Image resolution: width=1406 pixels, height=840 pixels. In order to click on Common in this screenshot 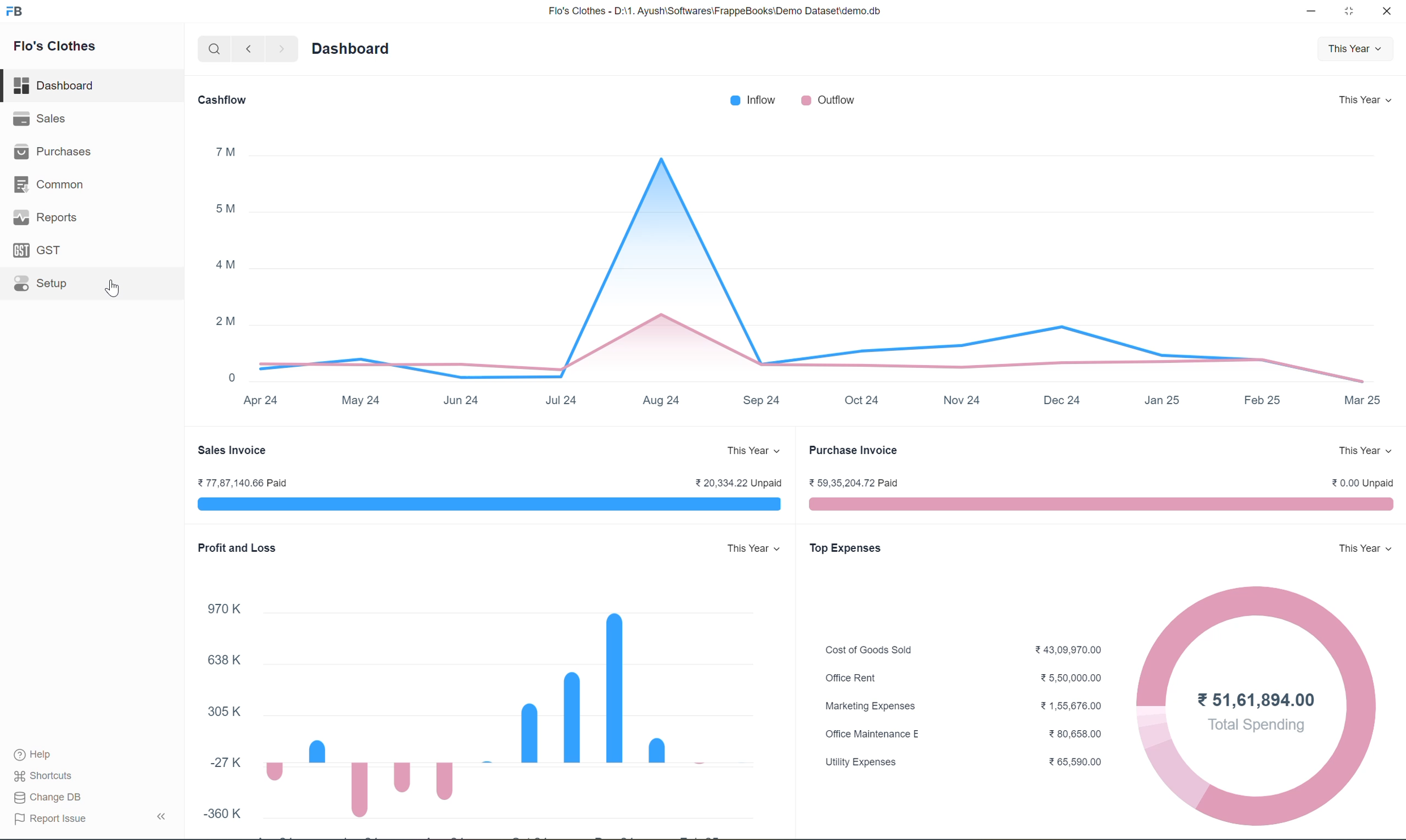, I will do `click(49, 184)`.